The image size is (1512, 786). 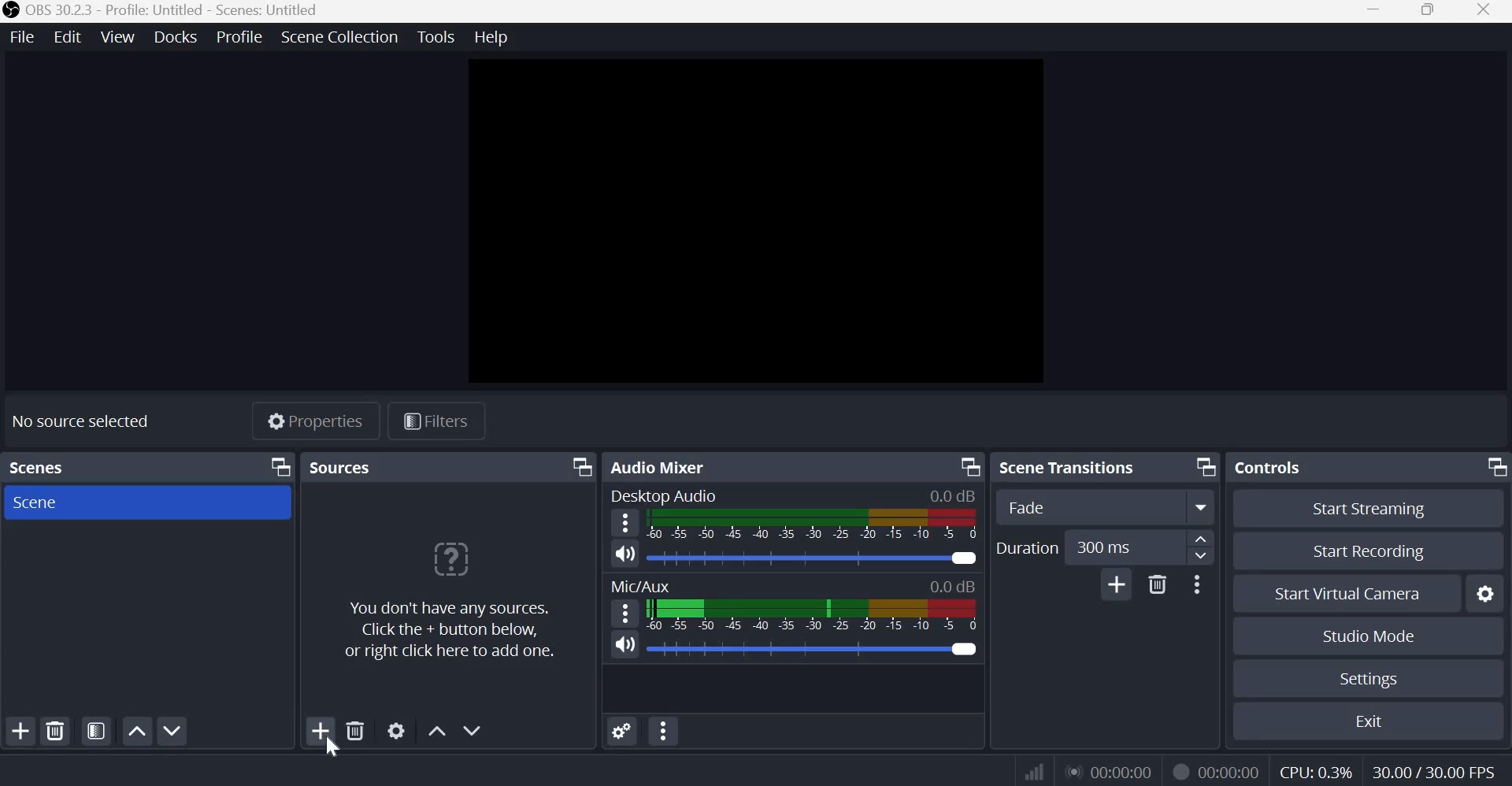 I want to click on No source selected, so click(x=92, y=420).